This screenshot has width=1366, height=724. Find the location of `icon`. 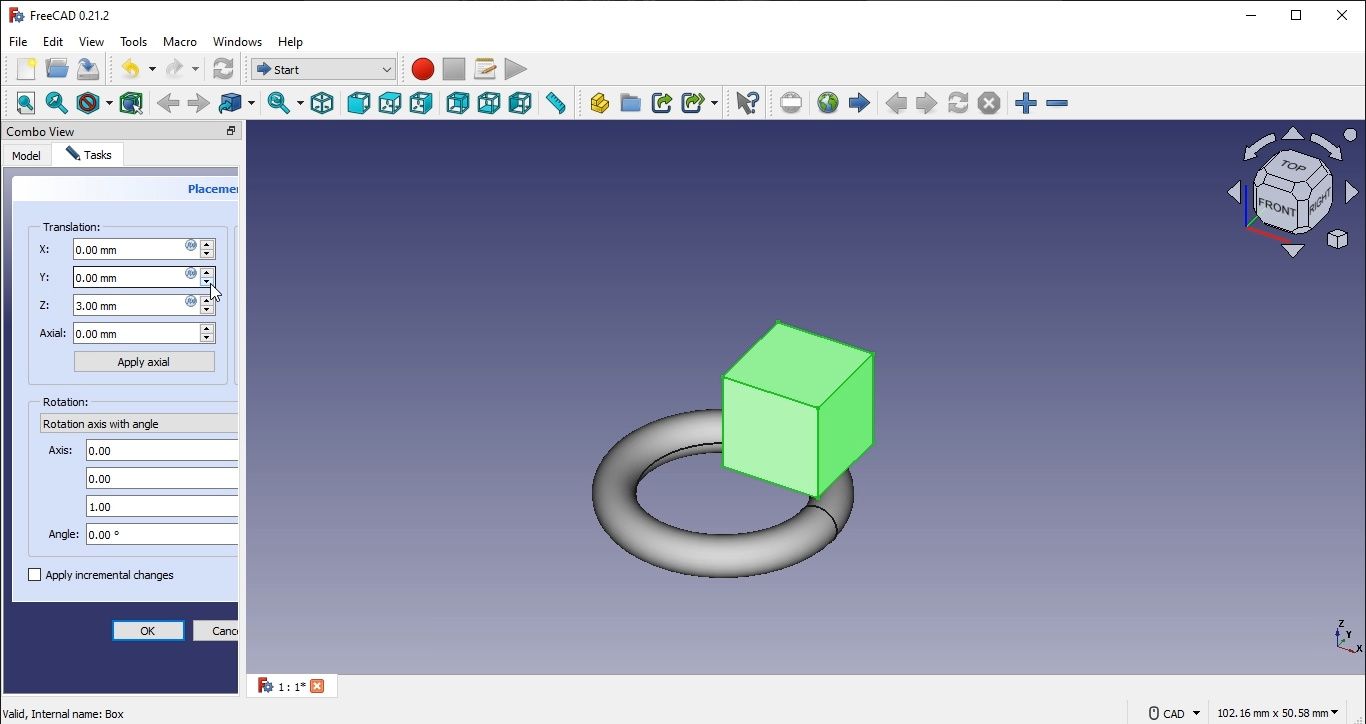

icon is located at coordinates (1290, 190).